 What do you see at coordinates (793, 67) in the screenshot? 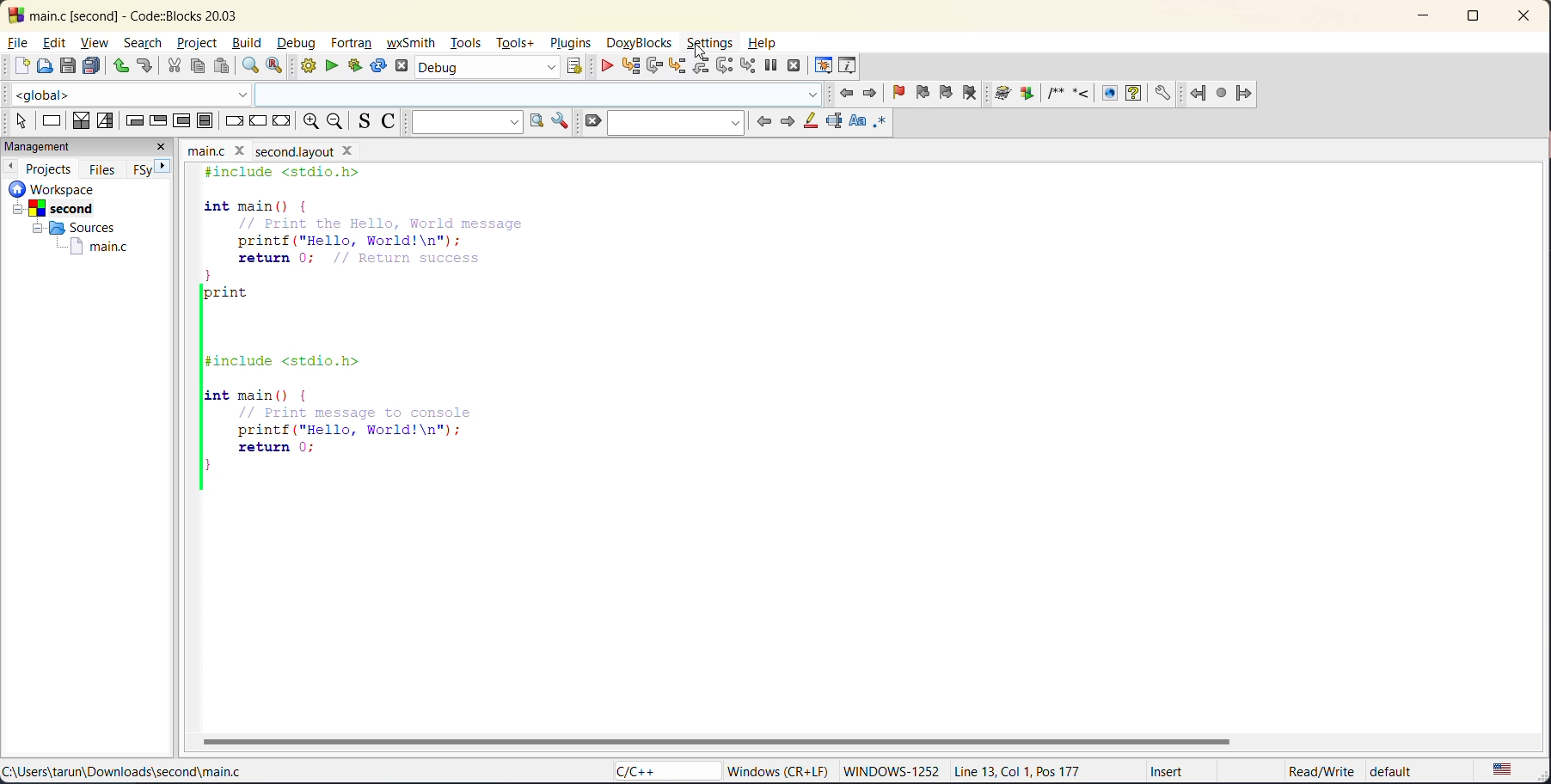
I see `stop debugger` at bounding box center [793, 67].